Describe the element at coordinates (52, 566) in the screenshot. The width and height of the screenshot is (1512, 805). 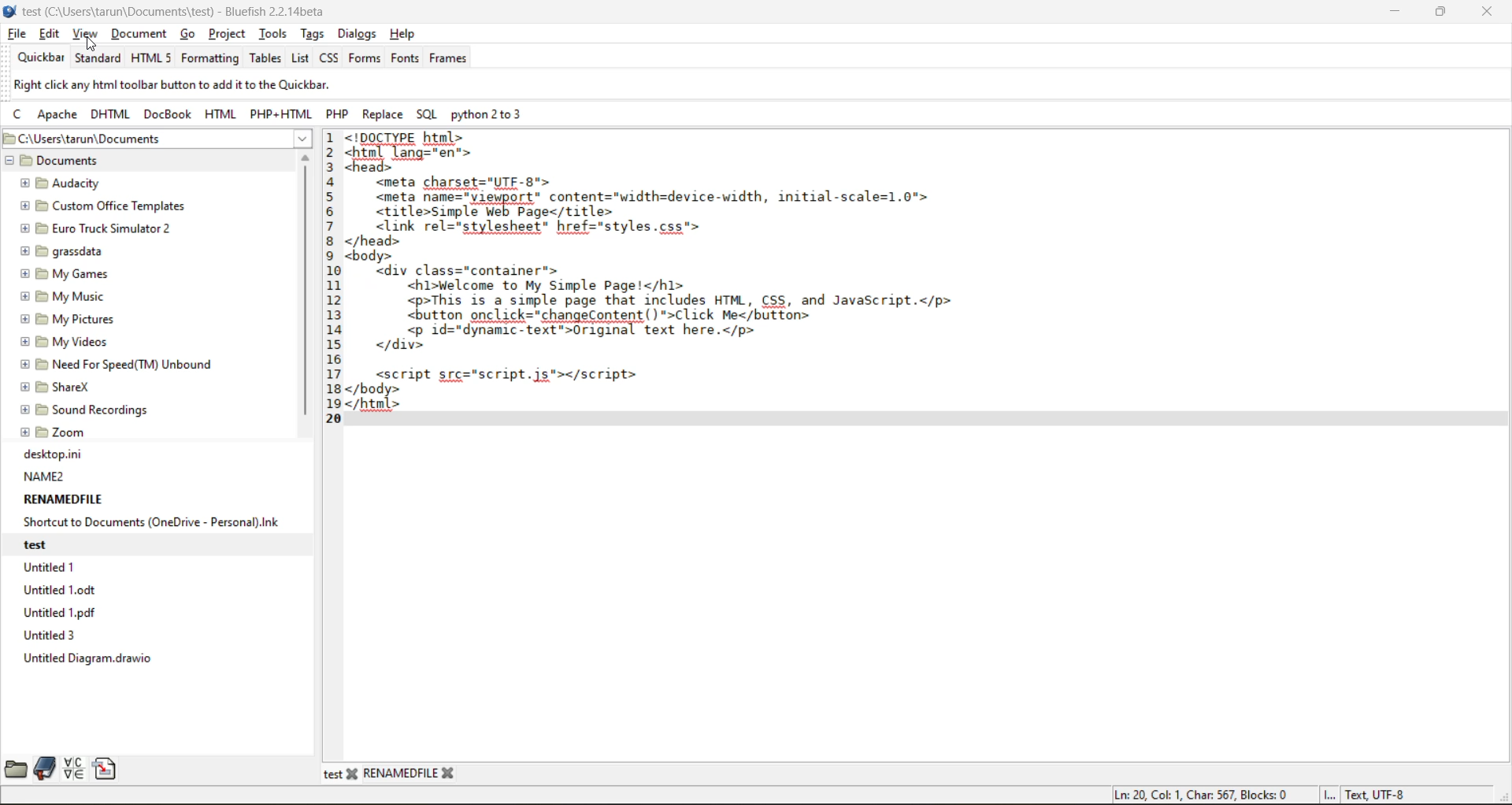
I see `Untitled 1` at that location.